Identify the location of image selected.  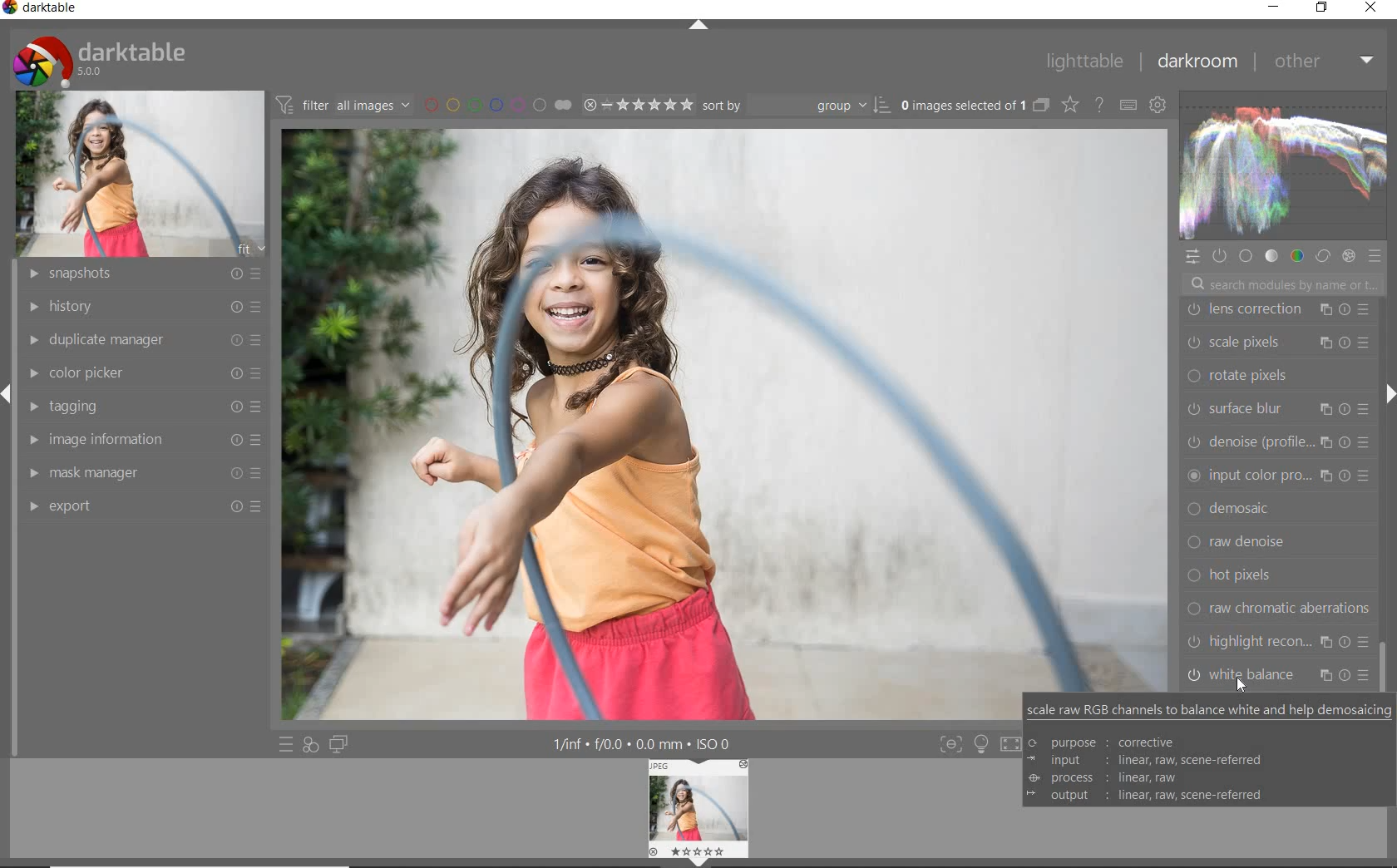
(726, 425).